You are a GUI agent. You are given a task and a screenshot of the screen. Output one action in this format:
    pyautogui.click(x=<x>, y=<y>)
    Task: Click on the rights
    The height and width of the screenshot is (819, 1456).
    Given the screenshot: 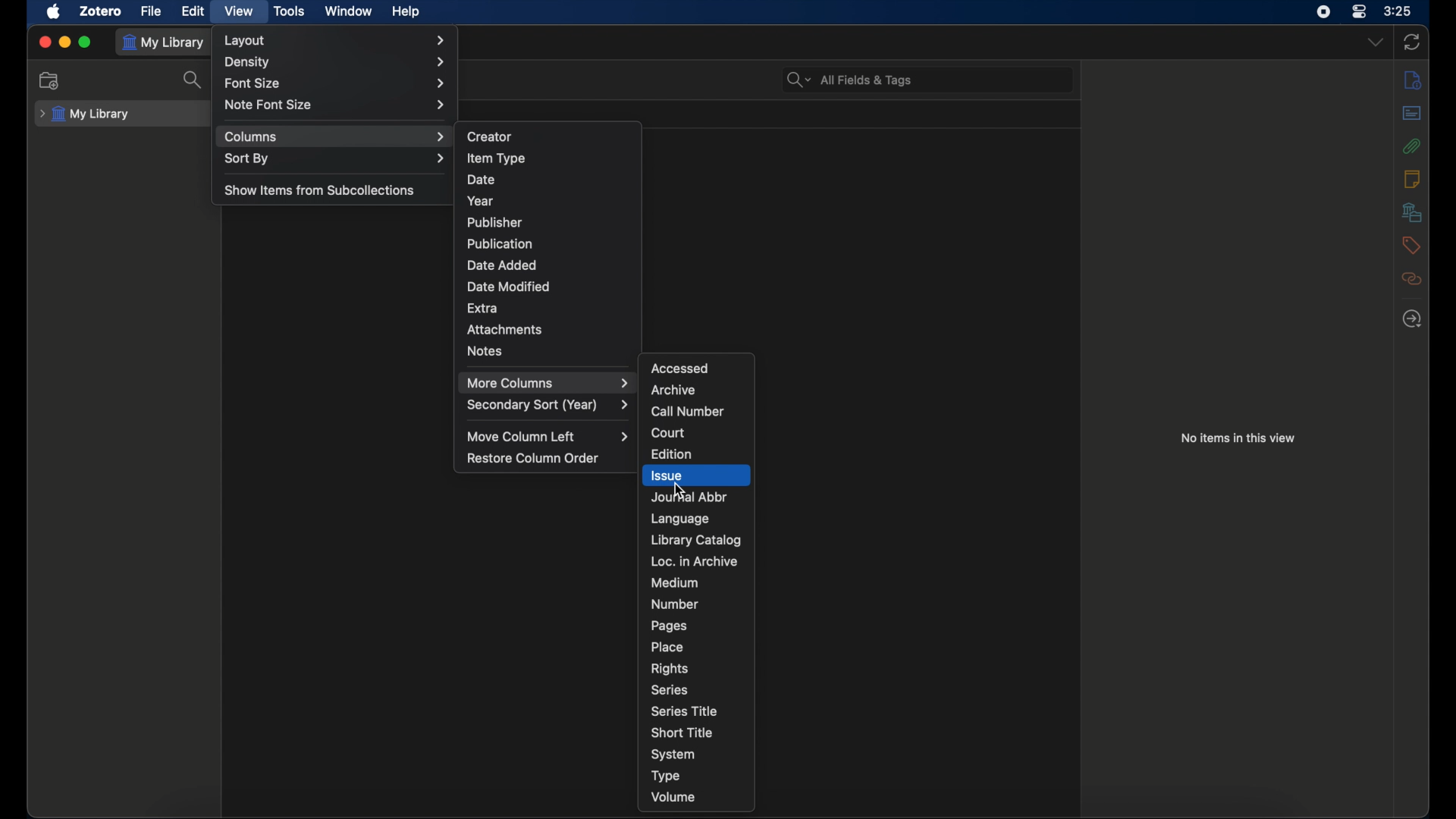 What is the action you would take?
    pyautogui.click(x=669, y=668)
    